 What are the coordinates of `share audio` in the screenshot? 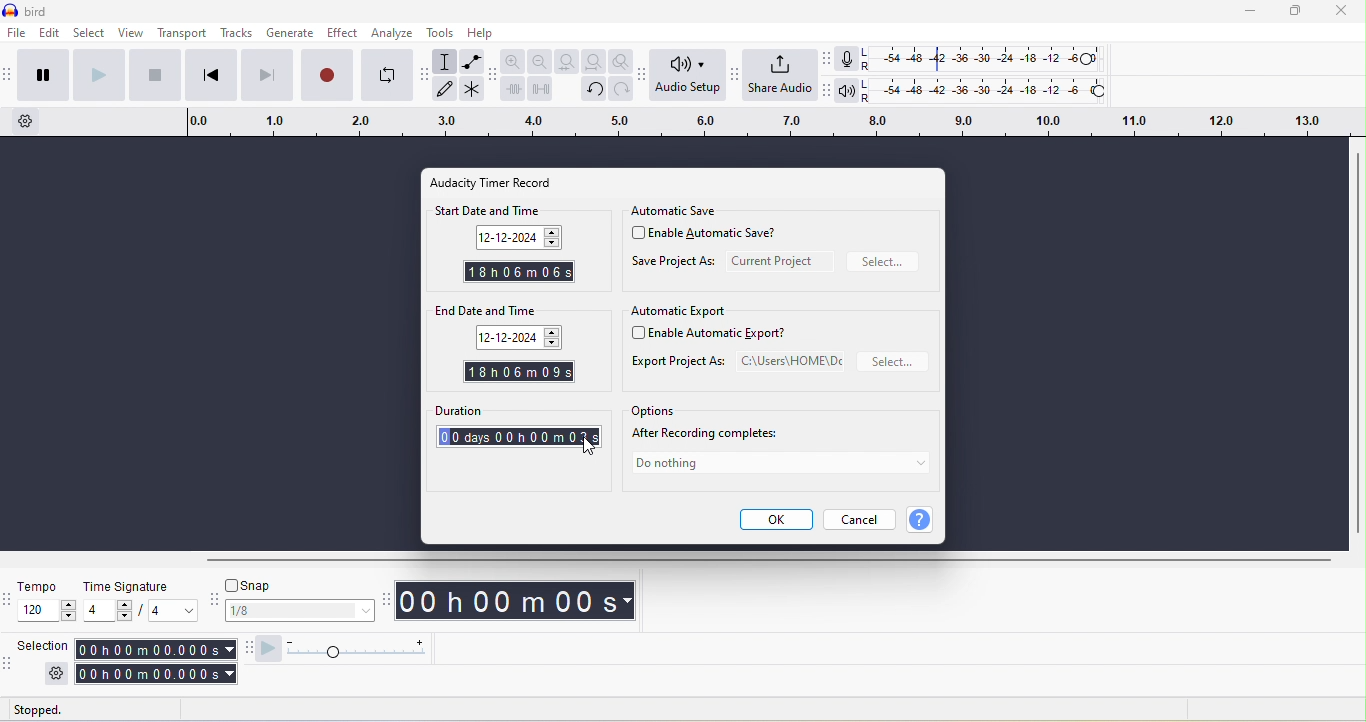 It's located at (780, 76).